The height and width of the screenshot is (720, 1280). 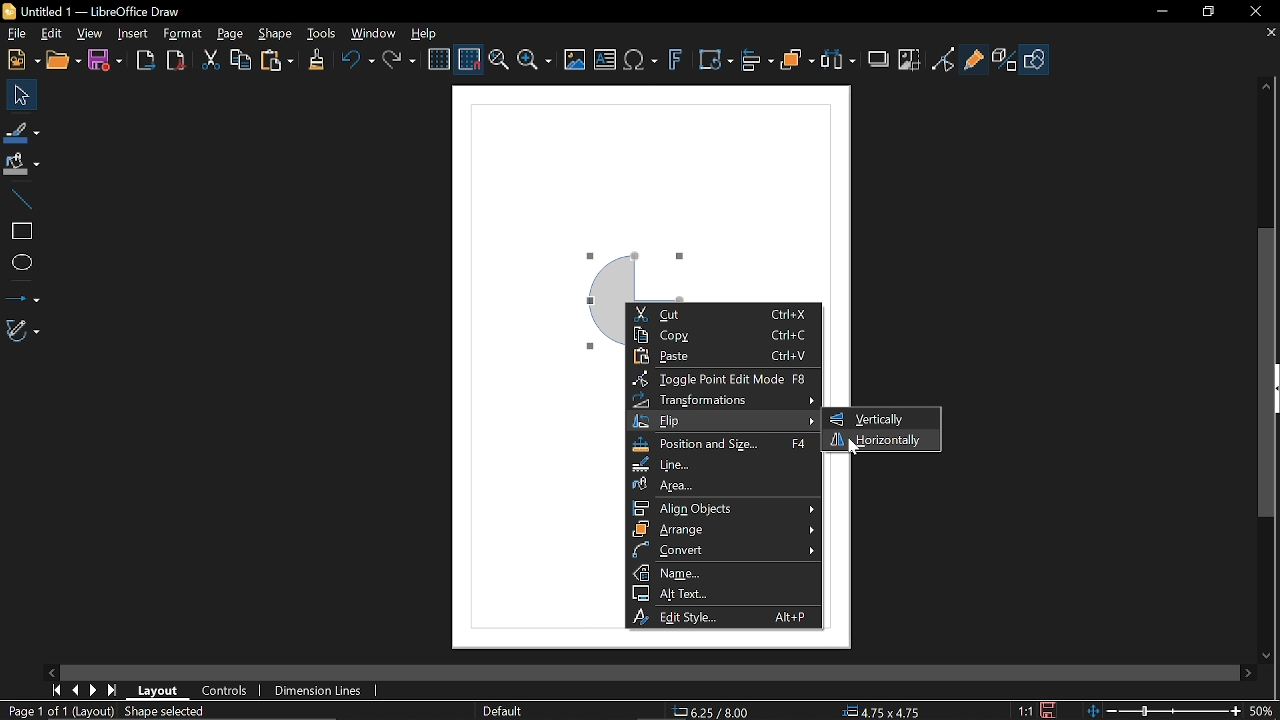 I want to click on Select, so click(x=22, y=96).